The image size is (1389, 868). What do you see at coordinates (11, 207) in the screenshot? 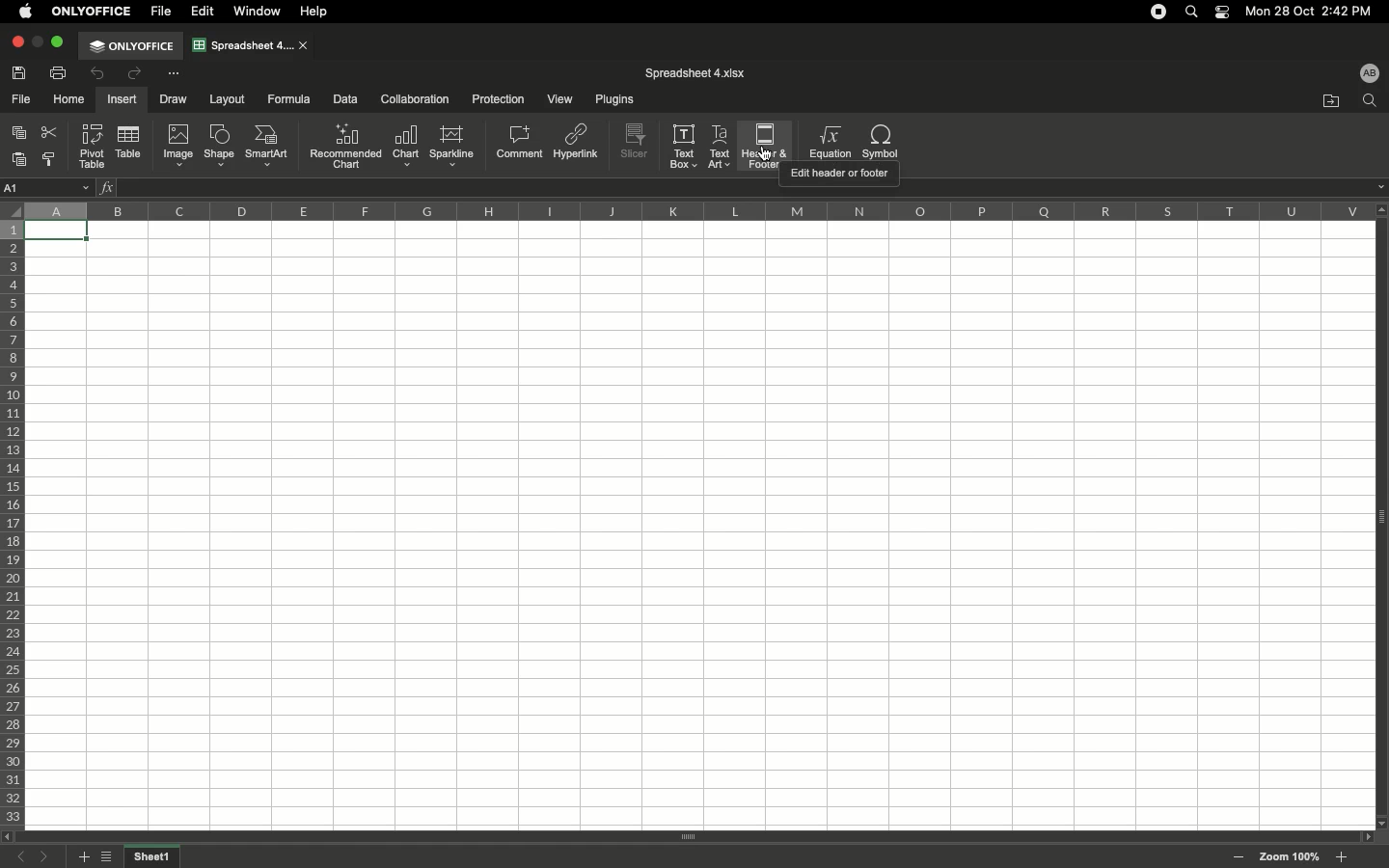
I see `Selector` at bounding box center [11, 207].